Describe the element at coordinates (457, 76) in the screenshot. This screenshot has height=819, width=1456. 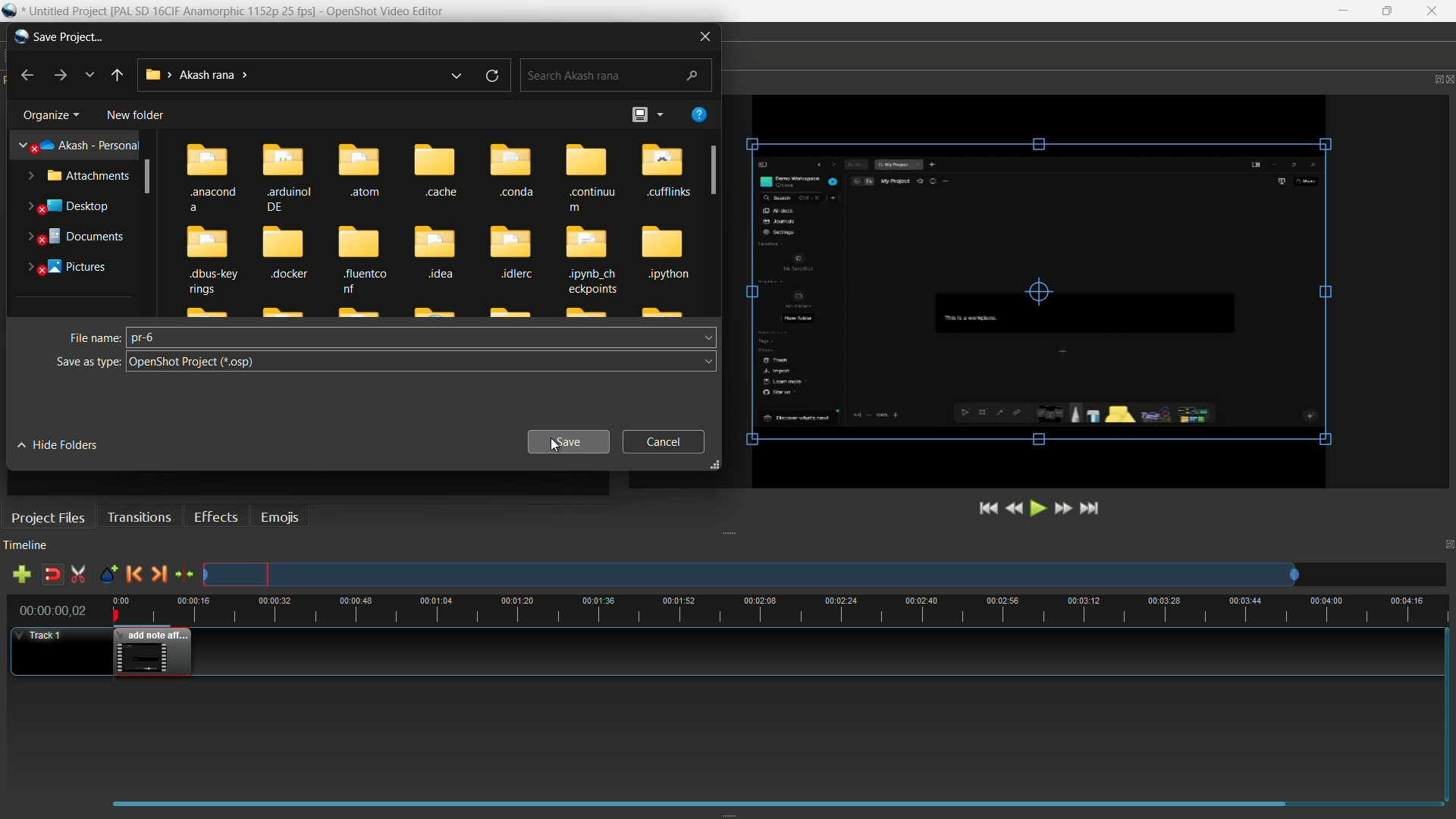
I see `previous location` at that location.